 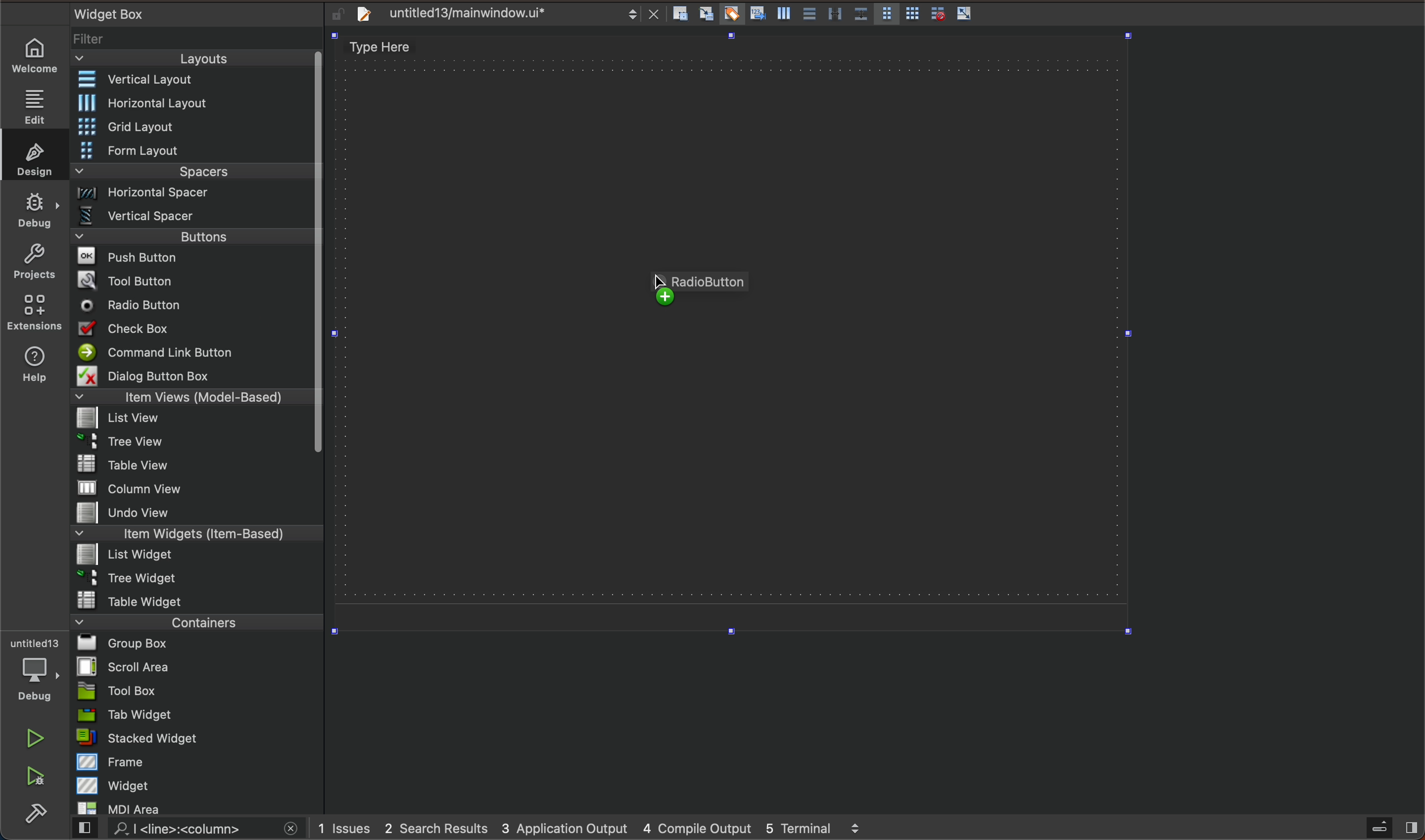 What do you see at coordinates (198, 579) in the screenshot?
I see `tree widget` at bounding box center [198, 579].